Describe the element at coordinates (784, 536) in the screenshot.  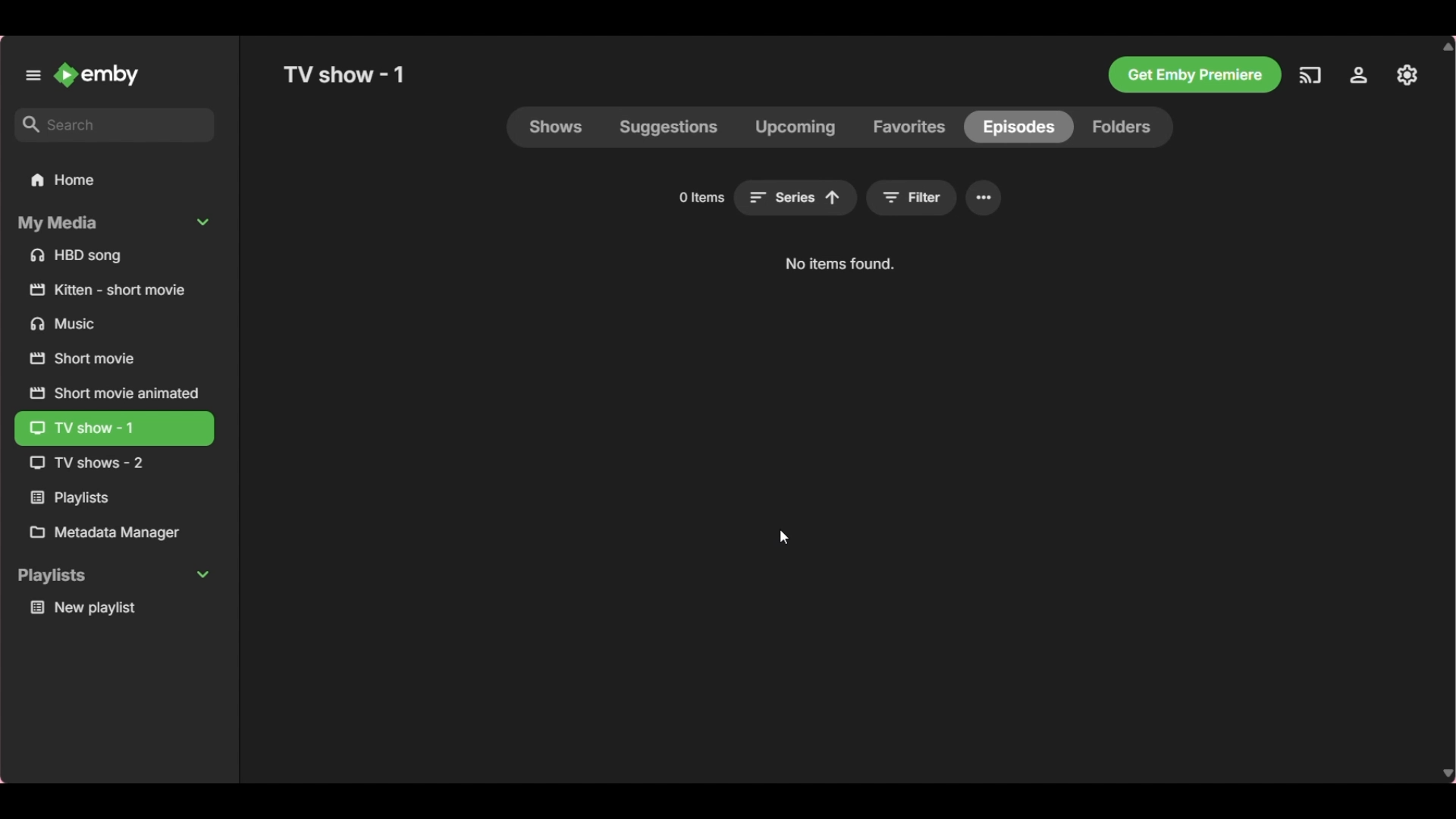
I see `Cursor position unchanged` at that location.